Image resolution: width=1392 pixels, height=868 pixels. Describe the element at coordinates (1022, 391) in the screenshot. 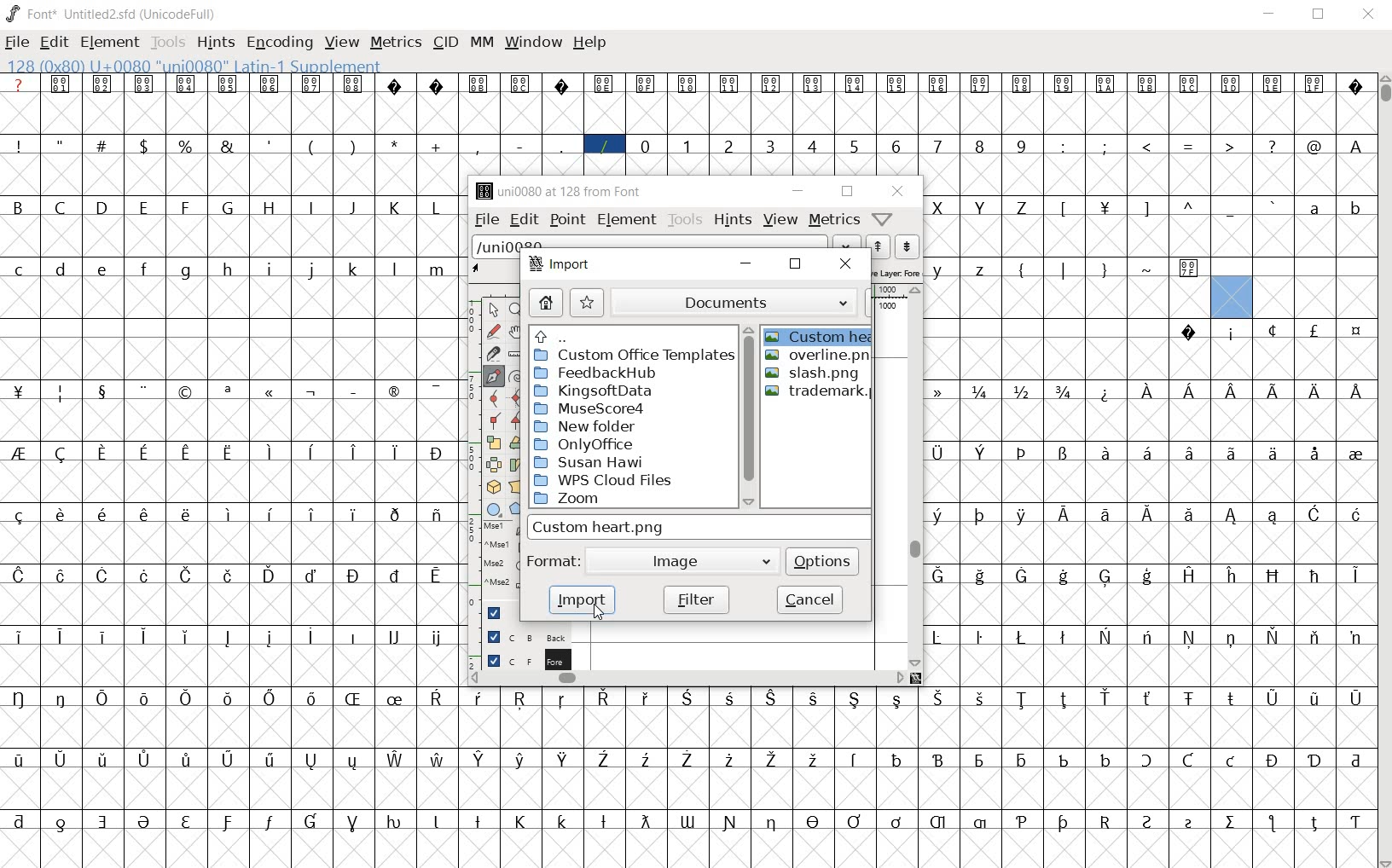

I see `glyph` at that location.